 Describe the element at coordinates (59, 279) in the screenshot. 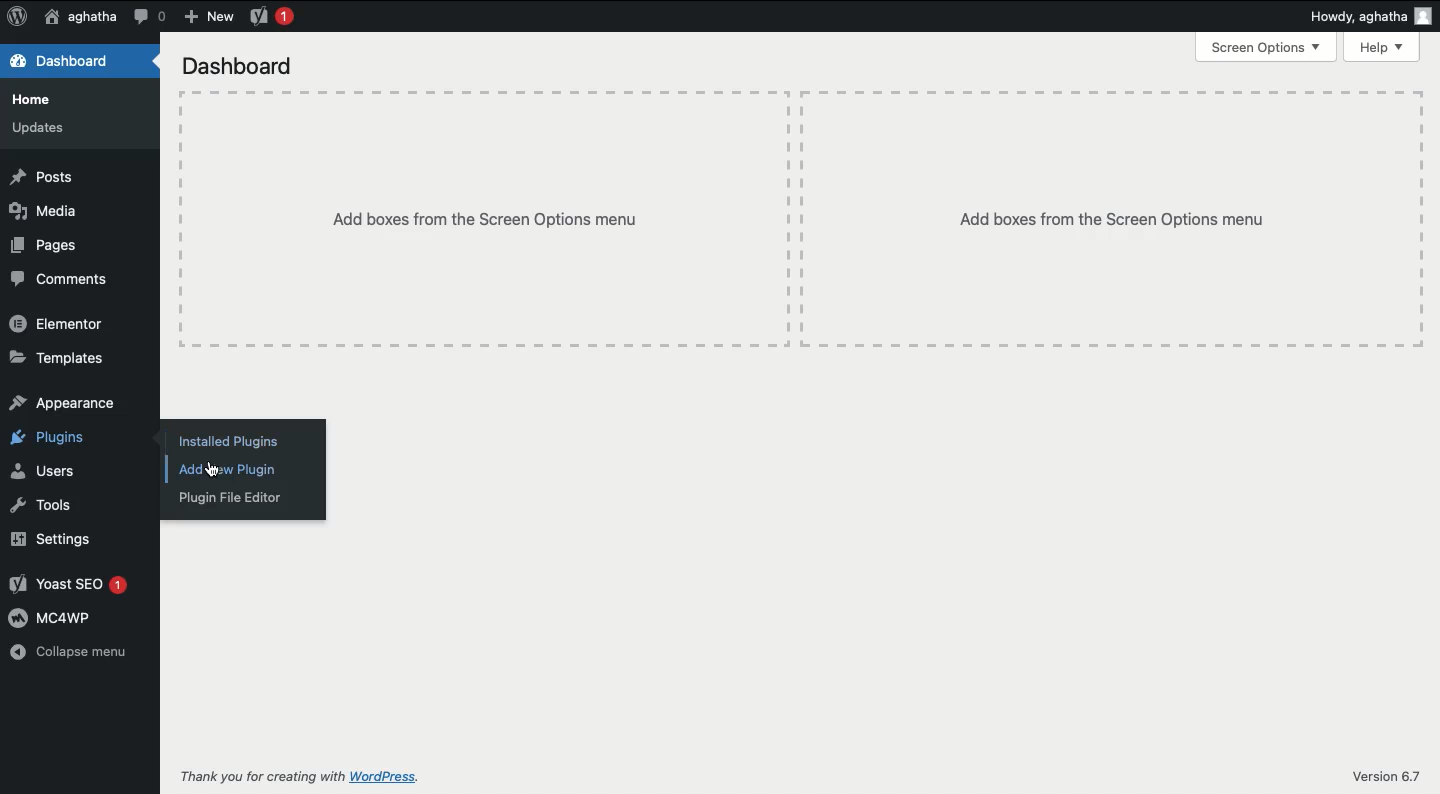

I see `Comments` at that location.